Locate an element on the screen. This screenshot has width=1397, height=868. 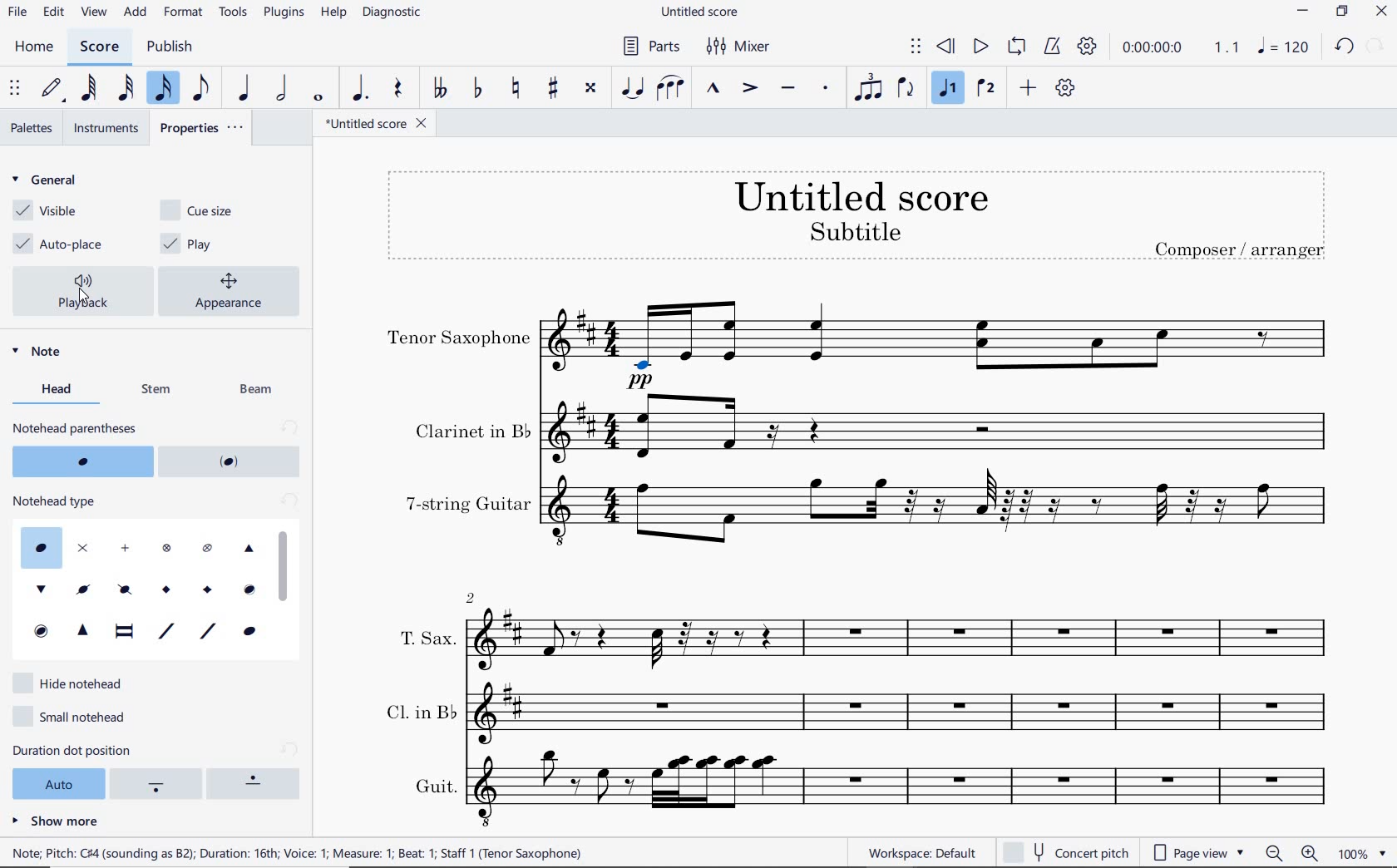
auto is located at coordinates (56, 782).